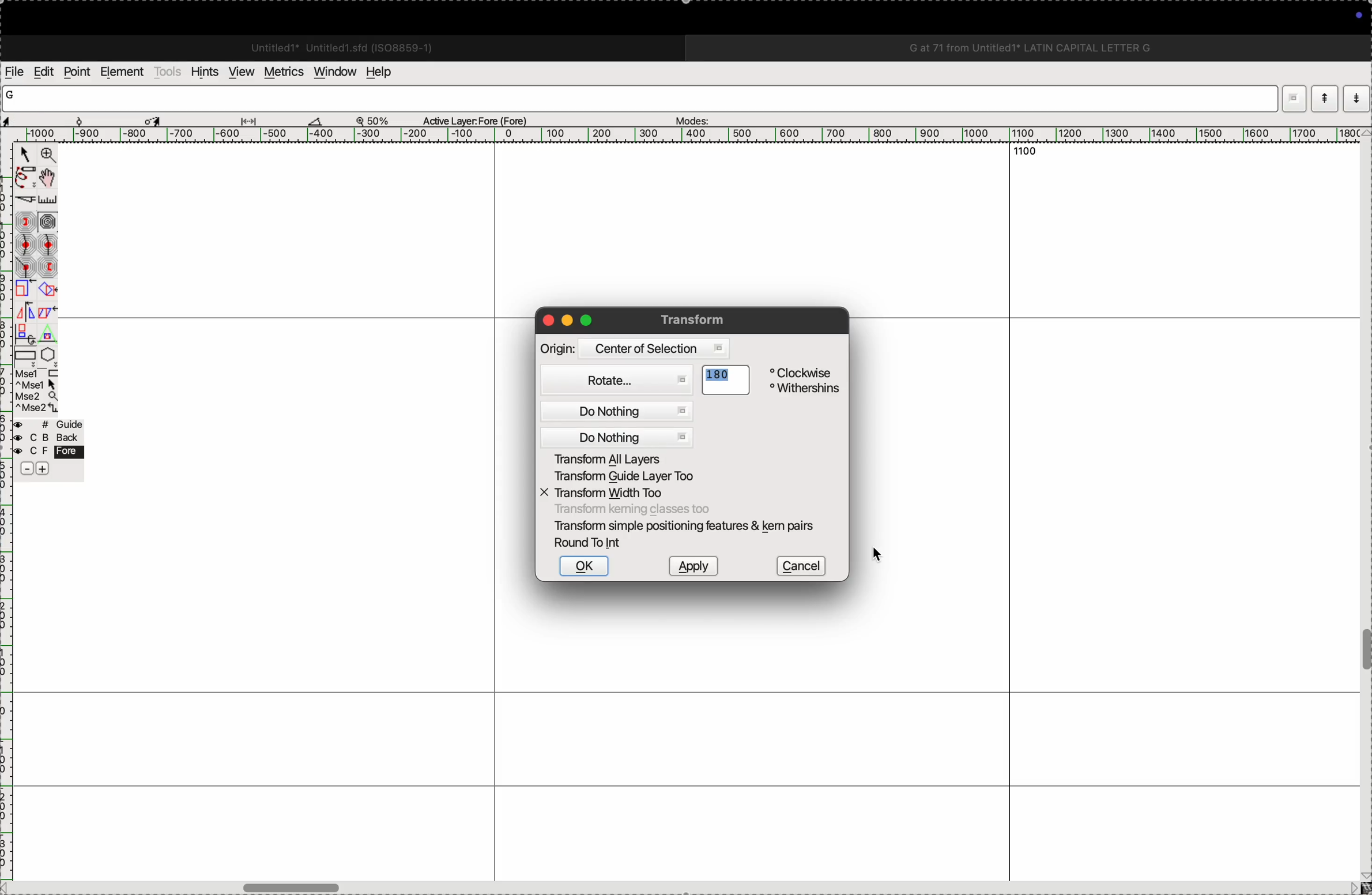  What do you see at coordinates (47, 334) in the screenshot?
I see `perspective` at bounding box center [47, 334].